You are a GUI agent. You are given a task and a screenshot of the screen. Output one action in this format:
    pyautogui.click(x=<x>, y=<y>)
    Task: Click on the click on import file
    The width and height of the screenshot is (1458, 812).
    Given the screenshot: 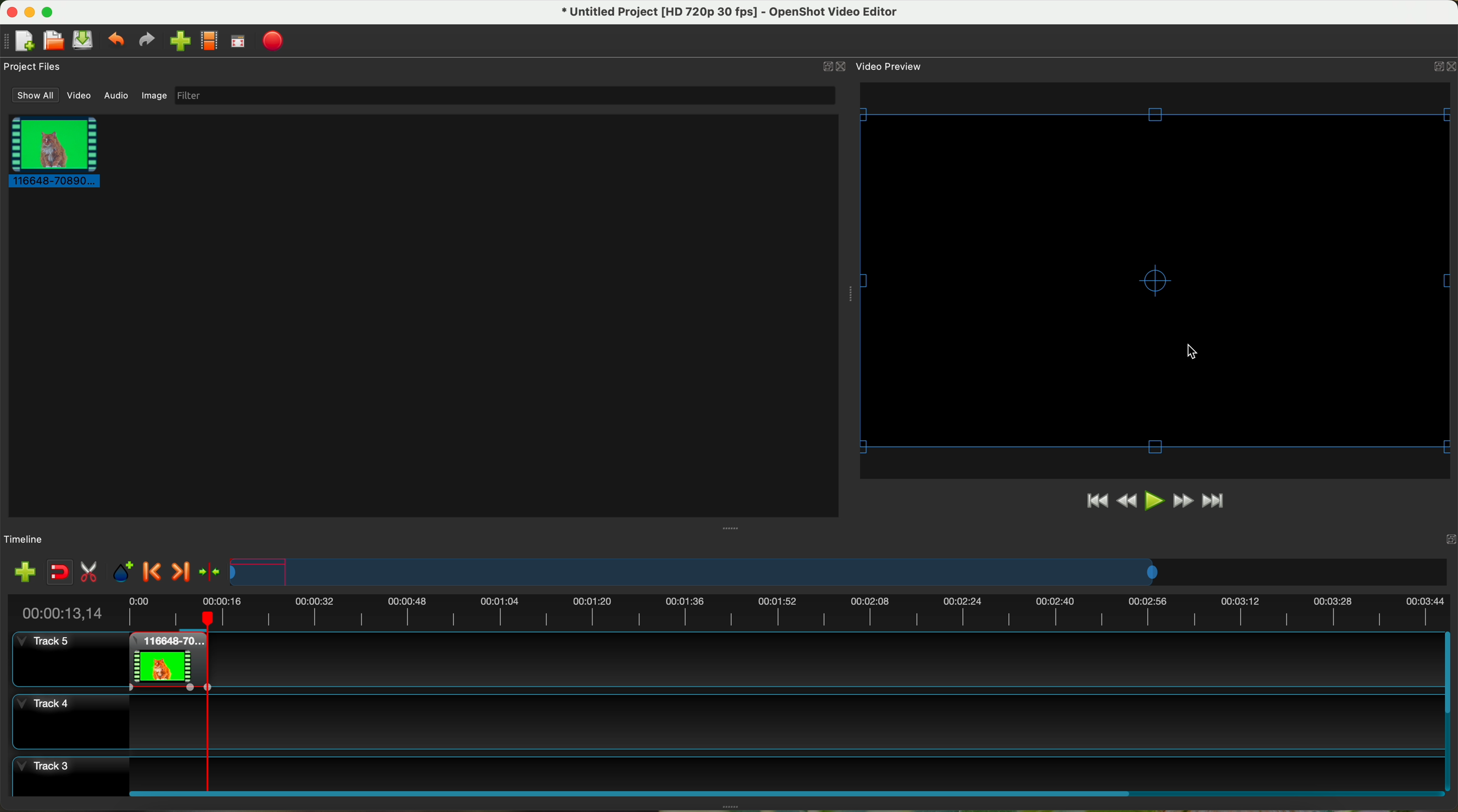 What is the action you would take?
    pyautogui.click(x=177, y=37)
    